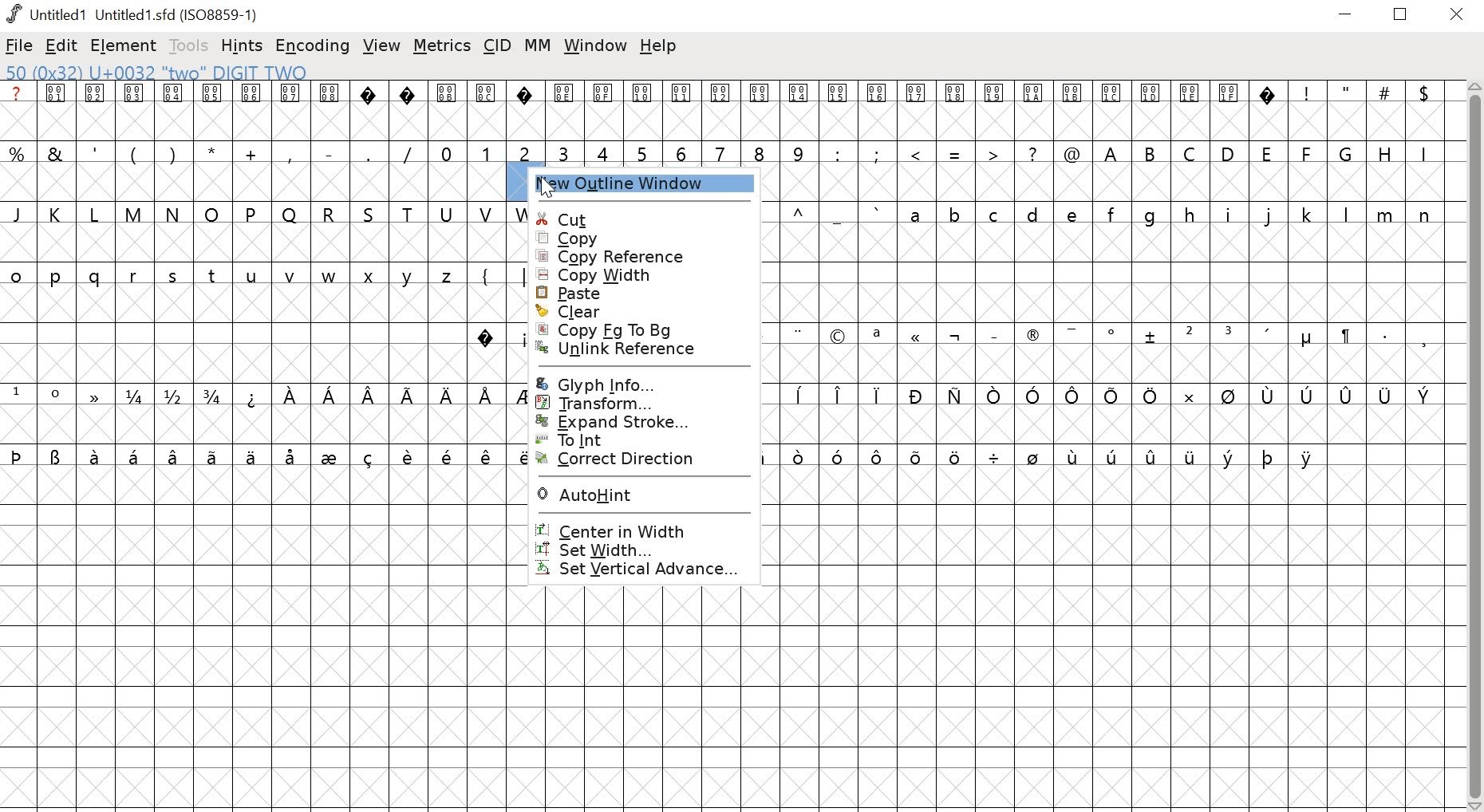  What do you see at coordinates (643, 256) in the screenshot?
I see `copy reference` at bounding box center [643, 256].